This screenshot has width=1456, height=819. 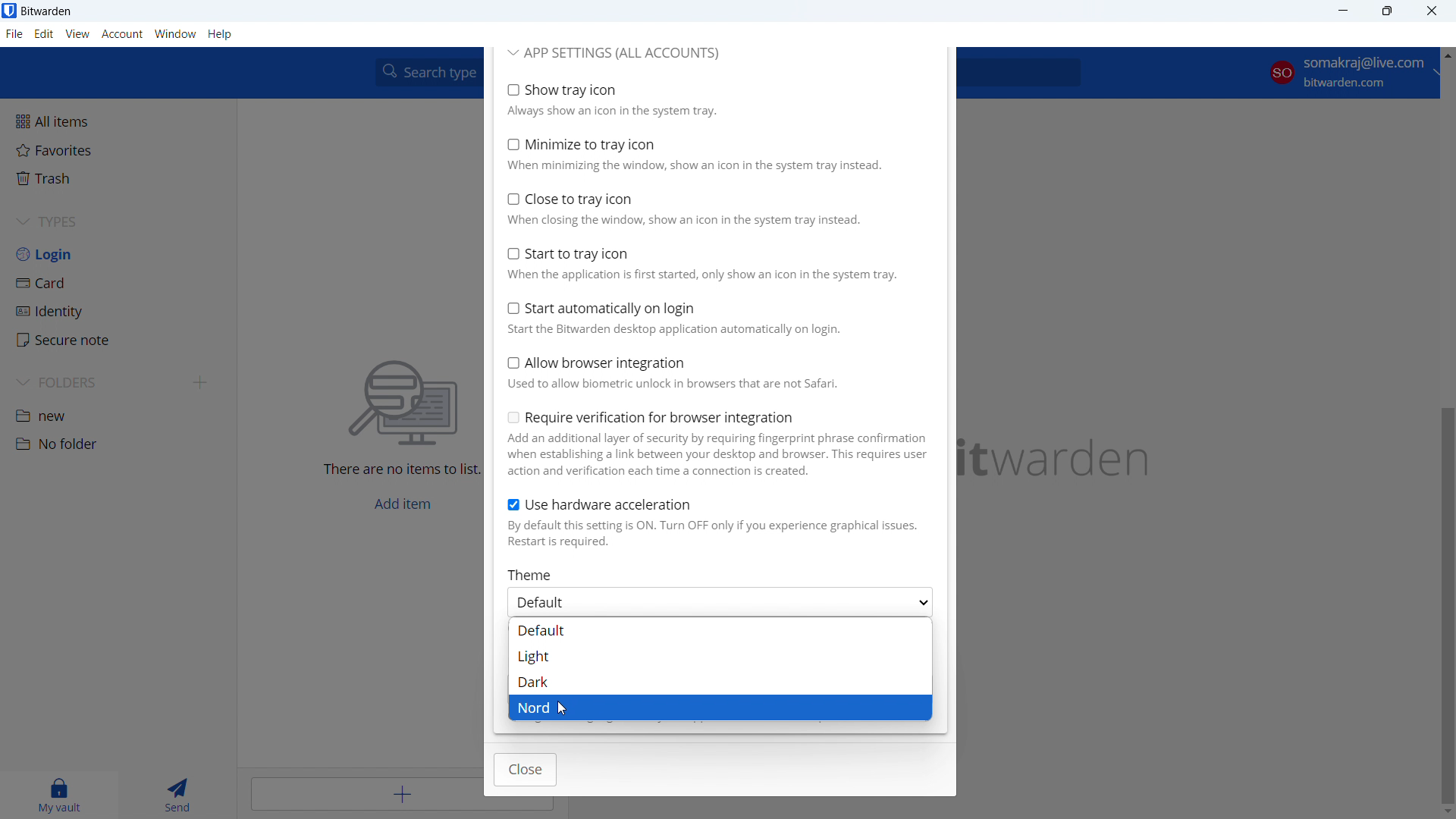 What do you see at coordinates (720, 630) in the screenshot?
I see `default` at bounding box center [720, 630].